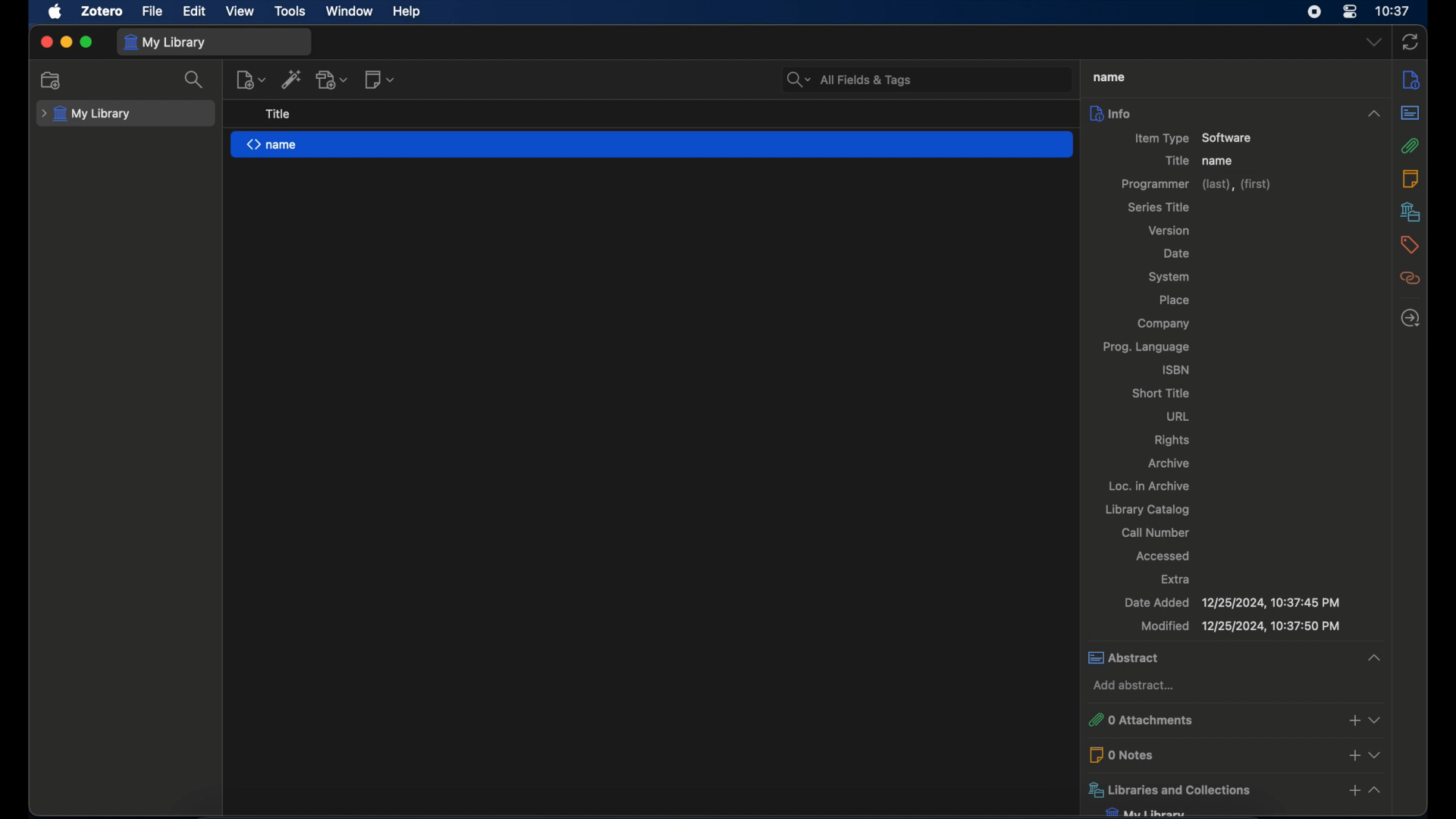 The height and width of the screenshot is (819, 1456). Describe the element at coordinates (1230, 602) in the screenshot. I see `date added` at that location.